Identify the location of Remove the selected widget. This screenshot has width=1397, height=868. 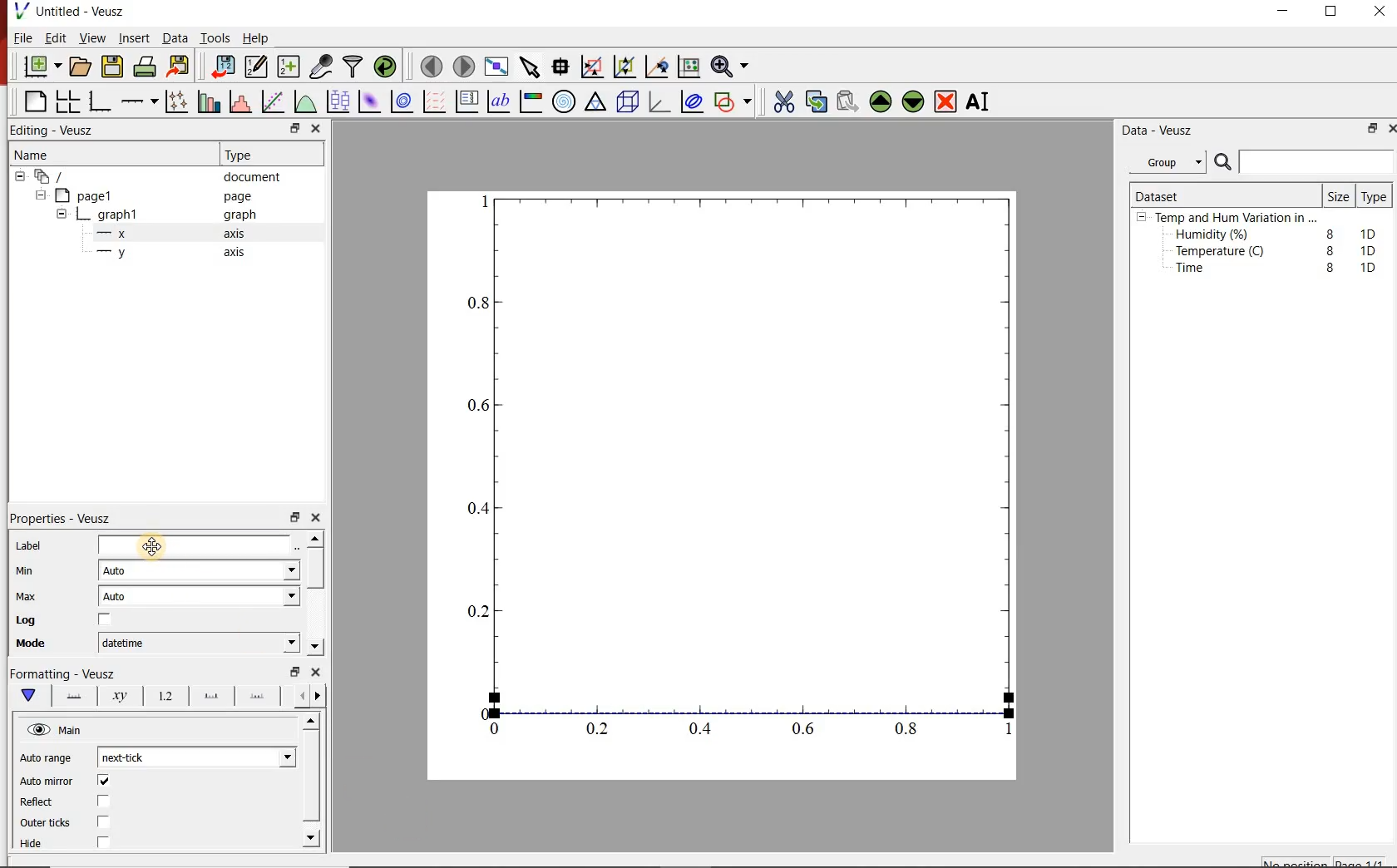
(947, 101).